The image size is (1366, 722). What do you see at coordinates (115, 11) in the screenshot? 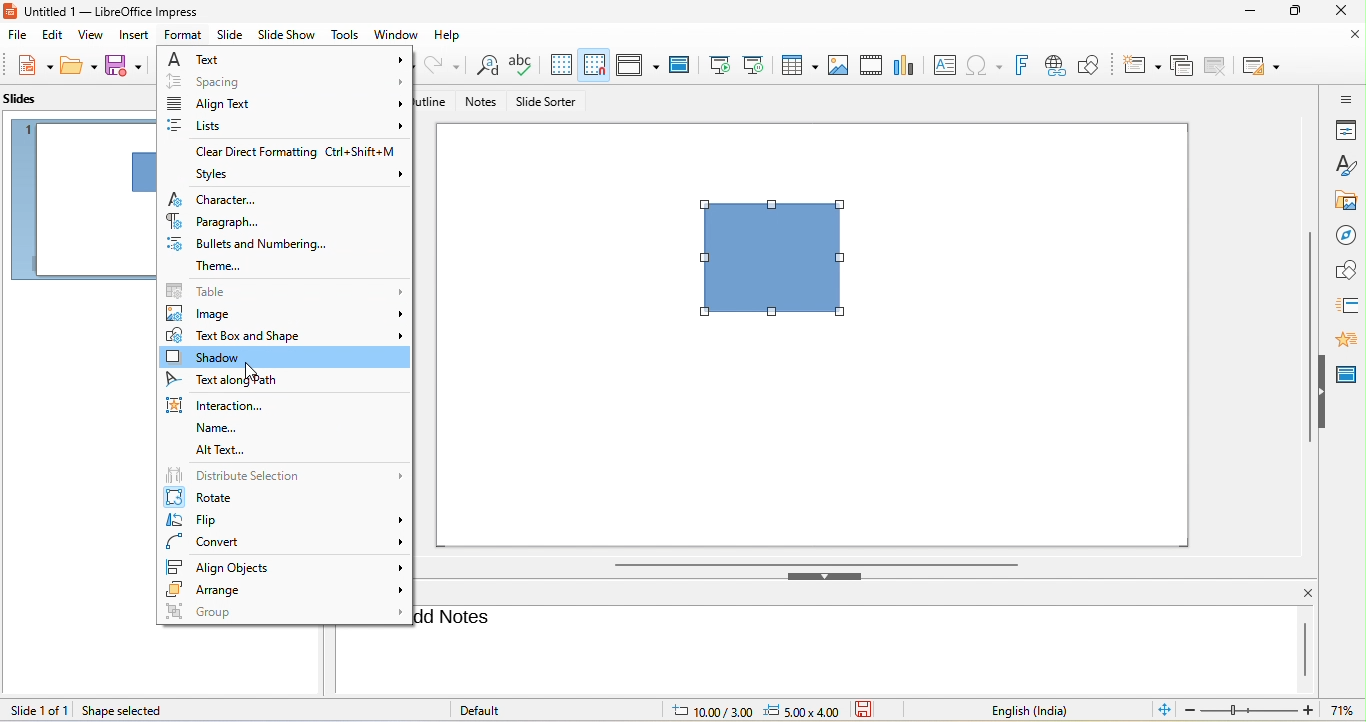
I see `Untitled 1 — LibreOffice Impress` at bounding box center [115, 11].